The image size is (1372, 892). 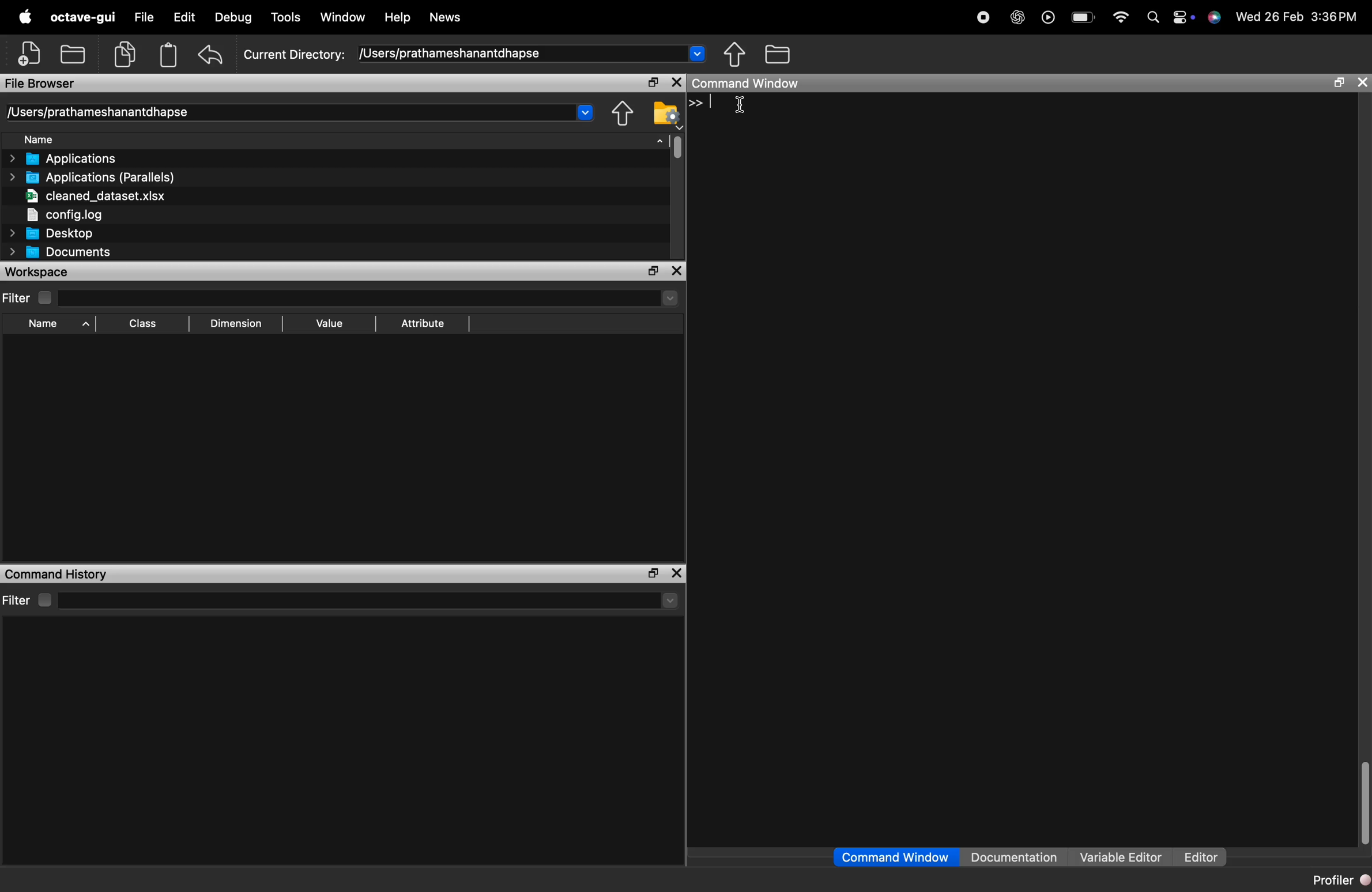 I want to click on Window, so click(x=339, y=18).